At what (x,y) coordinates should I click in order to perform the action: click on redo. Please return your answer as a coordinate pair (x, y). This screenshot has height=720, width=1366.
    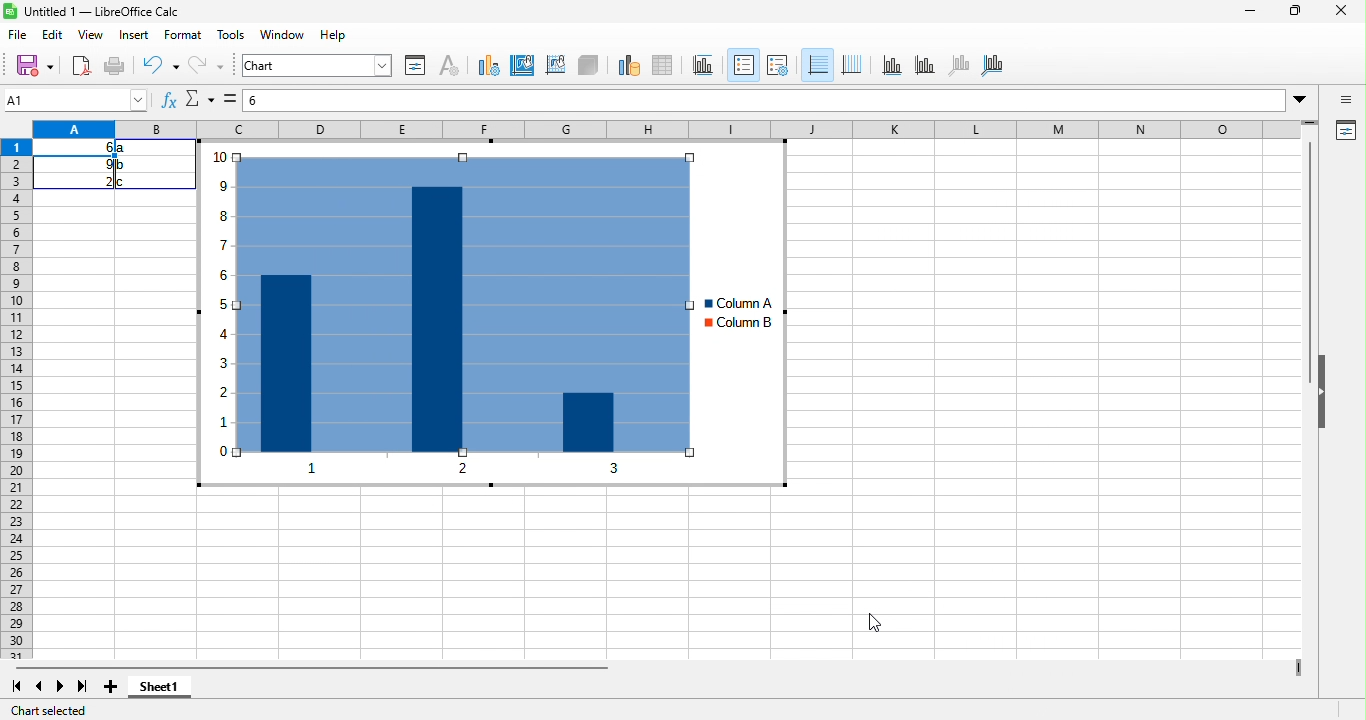
    Looking at the image, I should click on (205, 65).